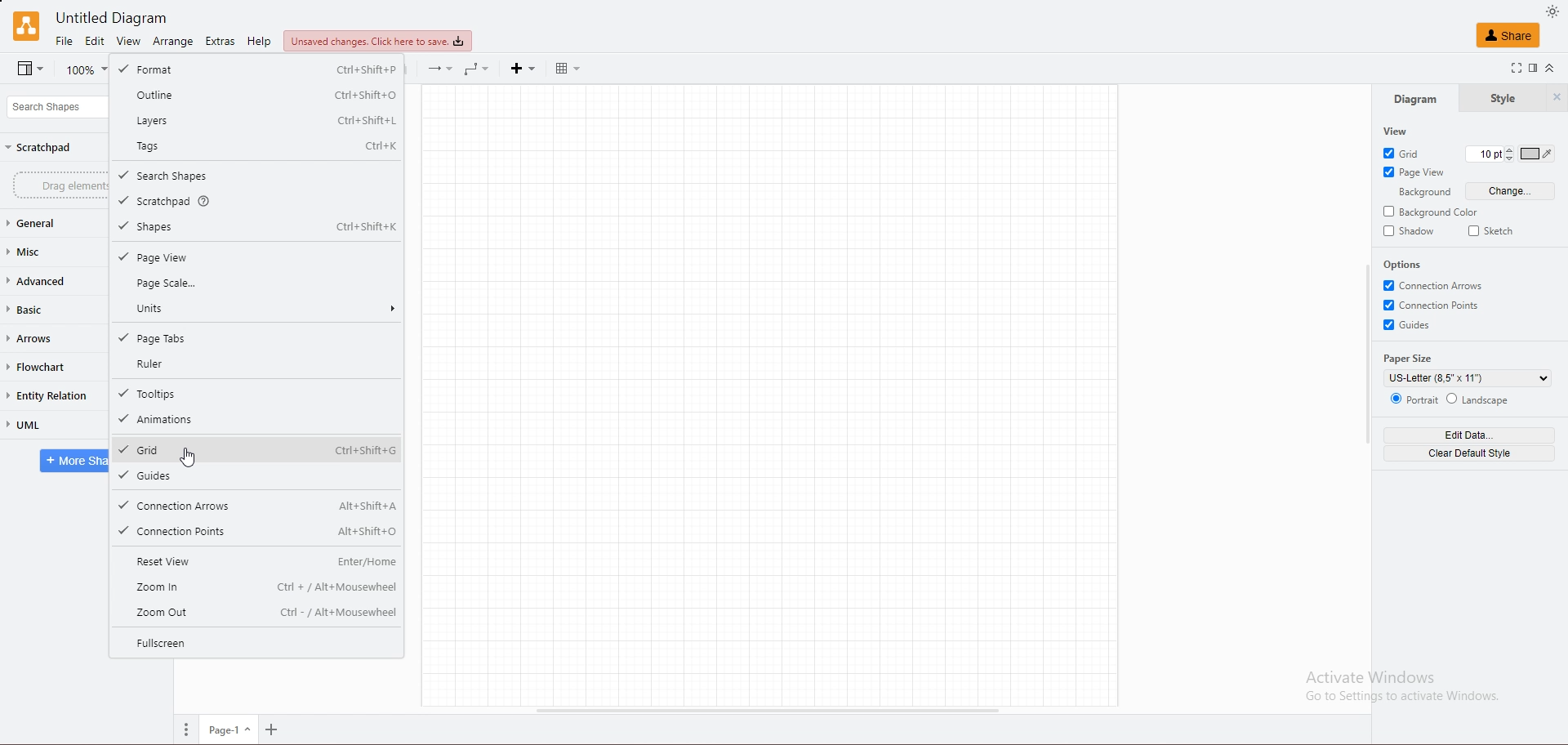  I want to click on outline            Ctrl+Shift+O, so click(256, 94).